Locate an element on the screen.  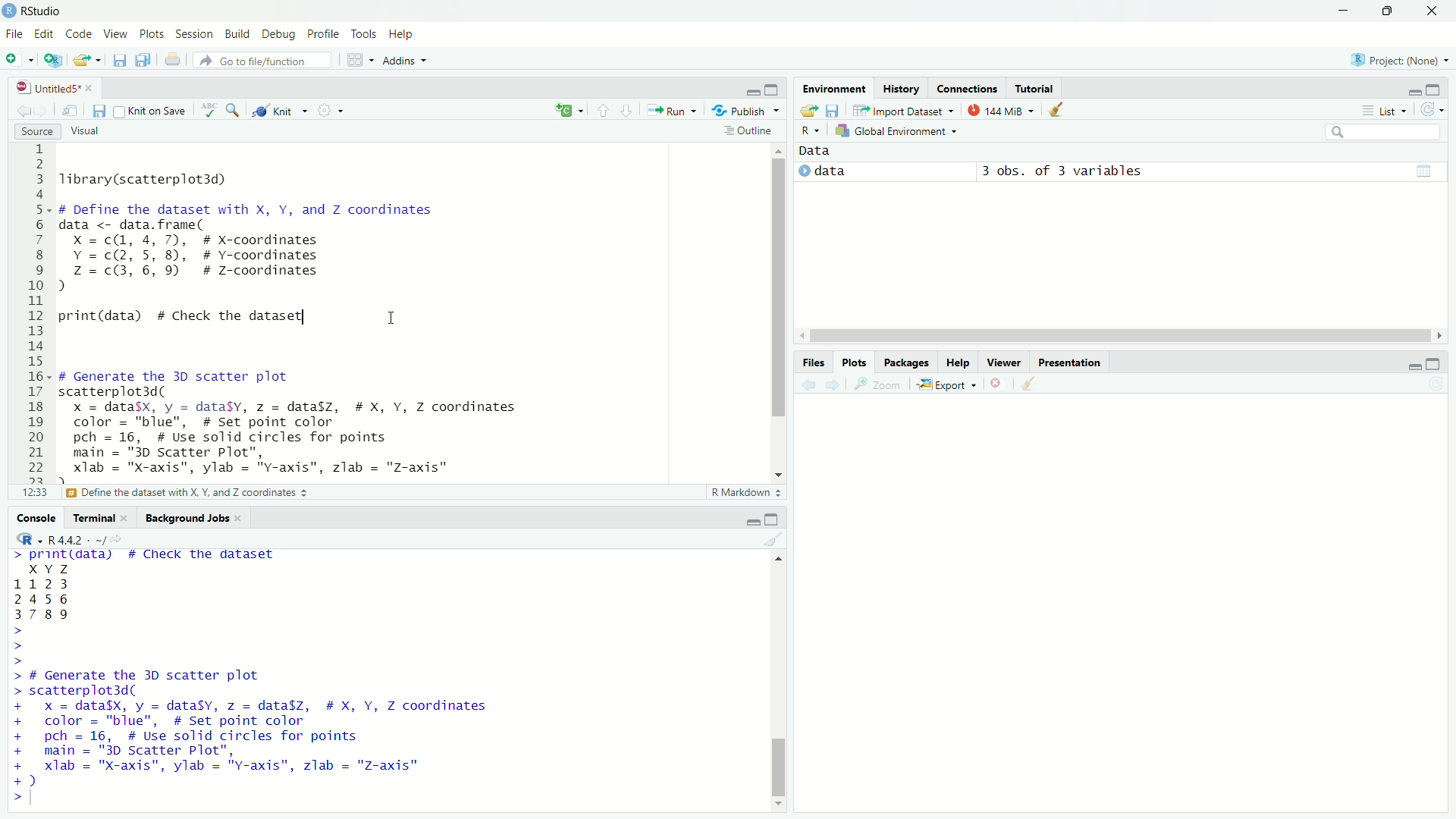
Cursor is located at coordinates (393, 326).